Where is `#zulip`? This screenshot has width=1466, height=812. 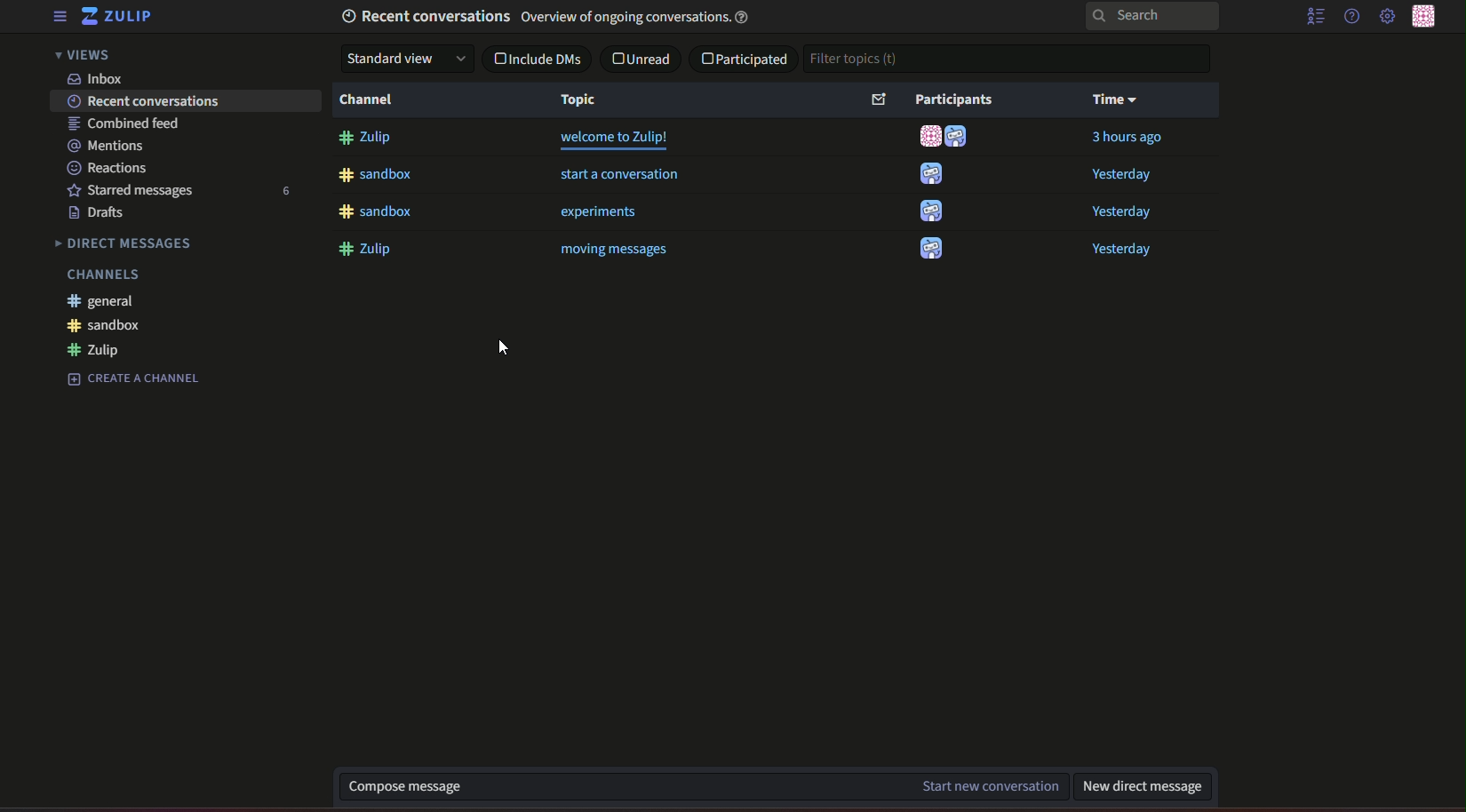 #zulip is located at coordinates (104, 350).